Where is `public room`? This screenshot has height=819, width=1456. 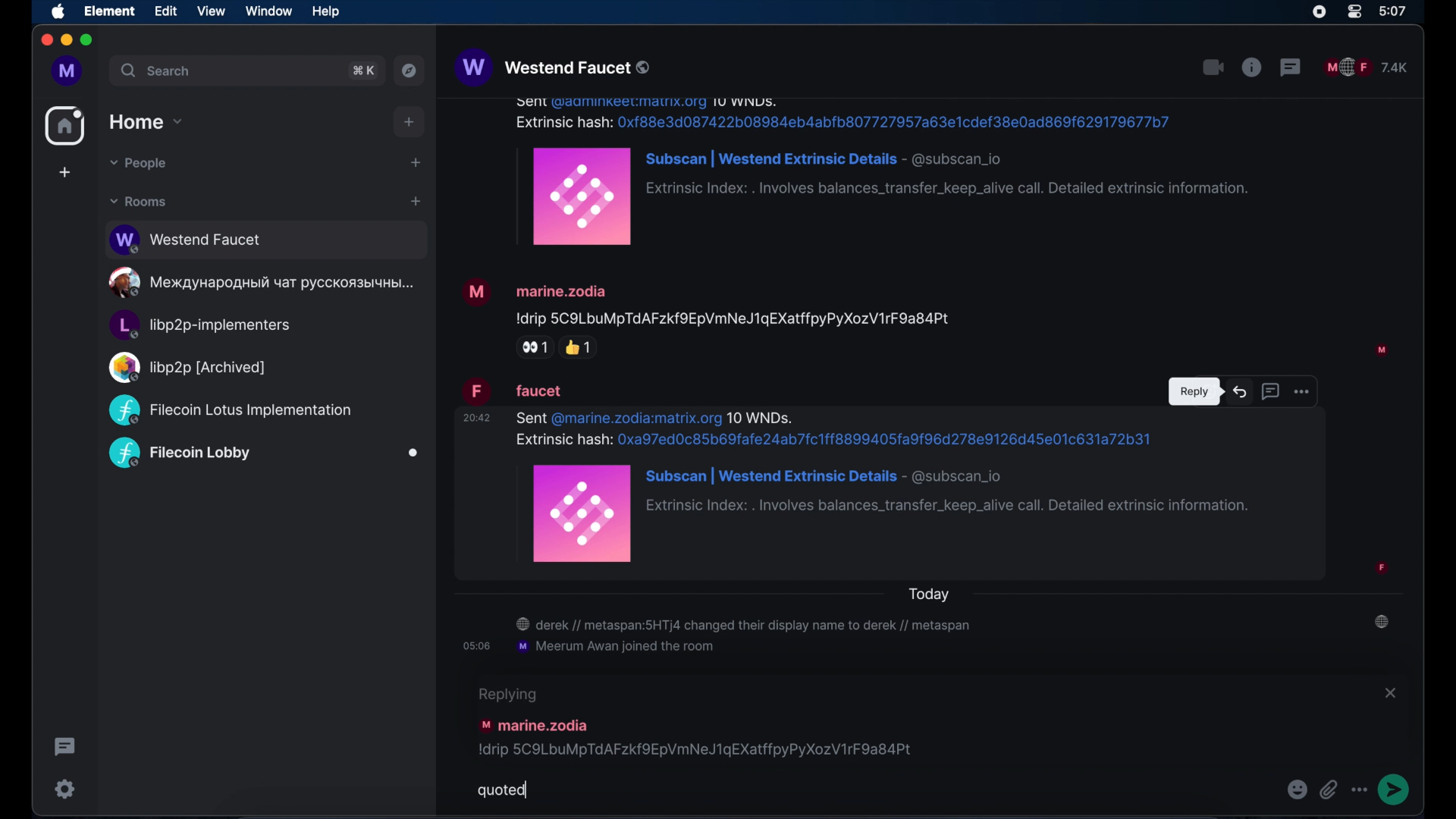 public room is located at coordinates (186, 367).